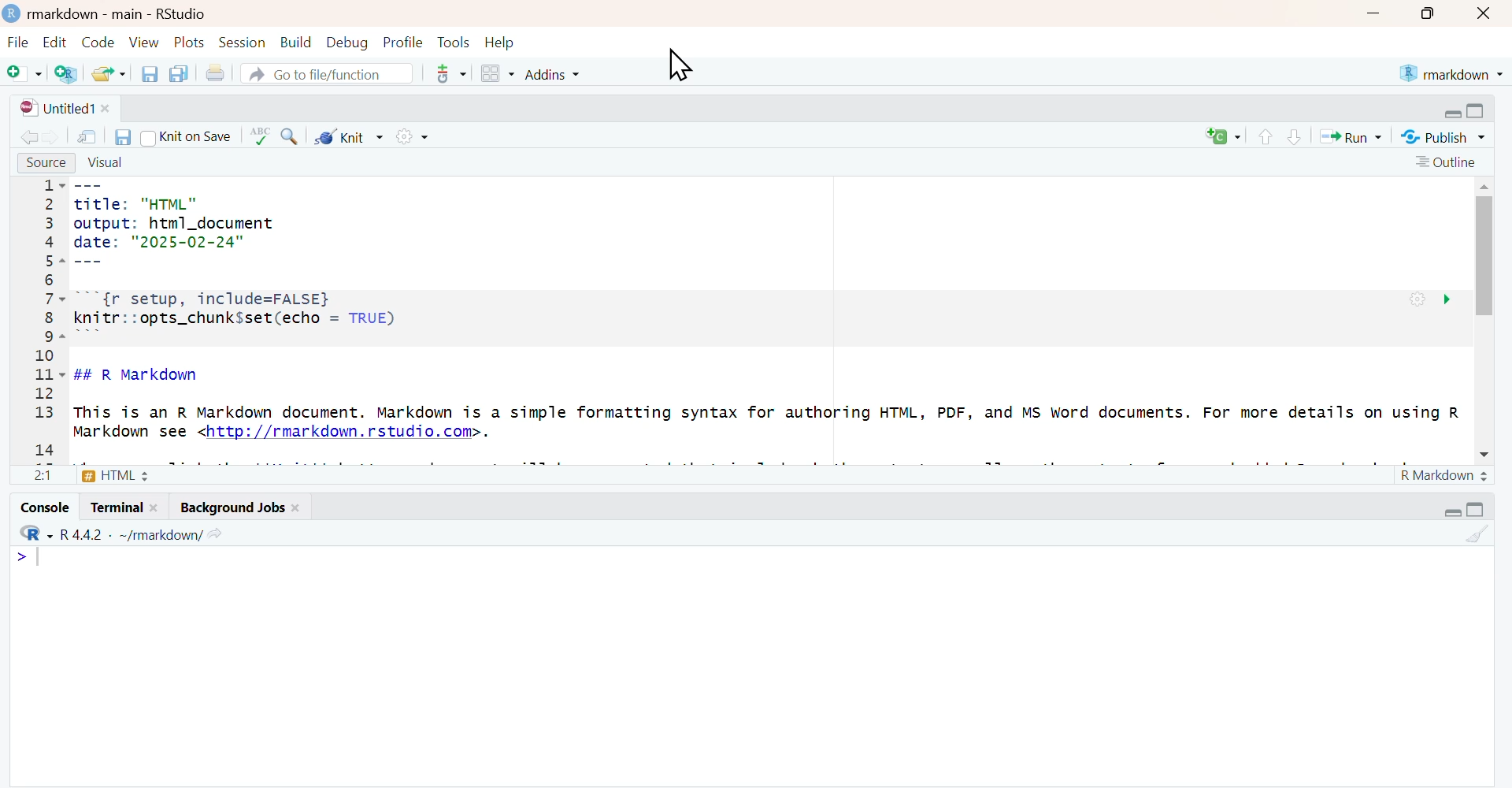  I want to click on More Settings, so click(409, 135).